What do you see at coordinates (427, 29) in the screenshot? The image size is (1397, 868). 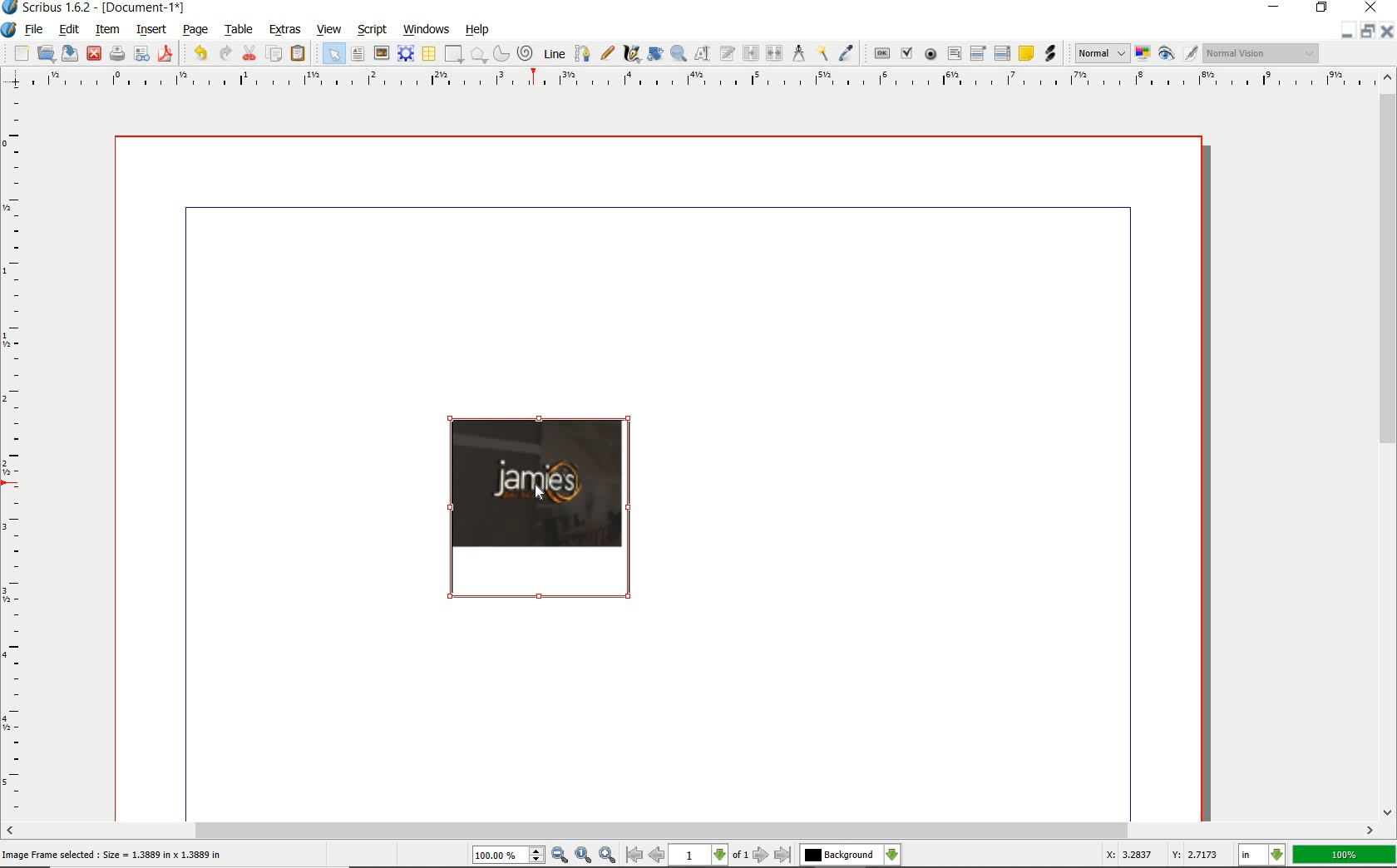 I see `windows` at bounding box center [427, 29].